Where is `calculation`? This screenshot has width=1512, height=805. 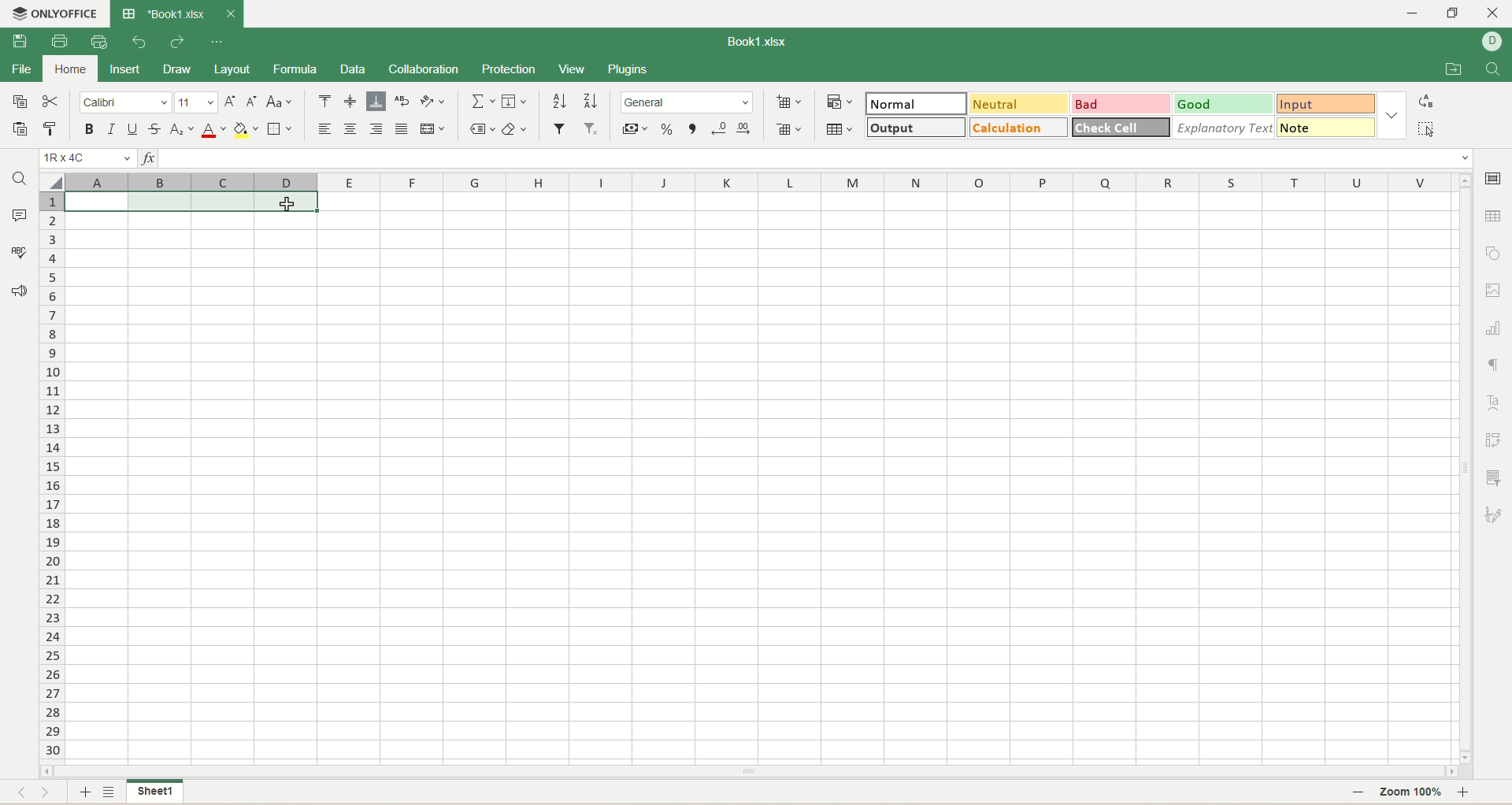 calculation is located at coordinates (1015, 128).